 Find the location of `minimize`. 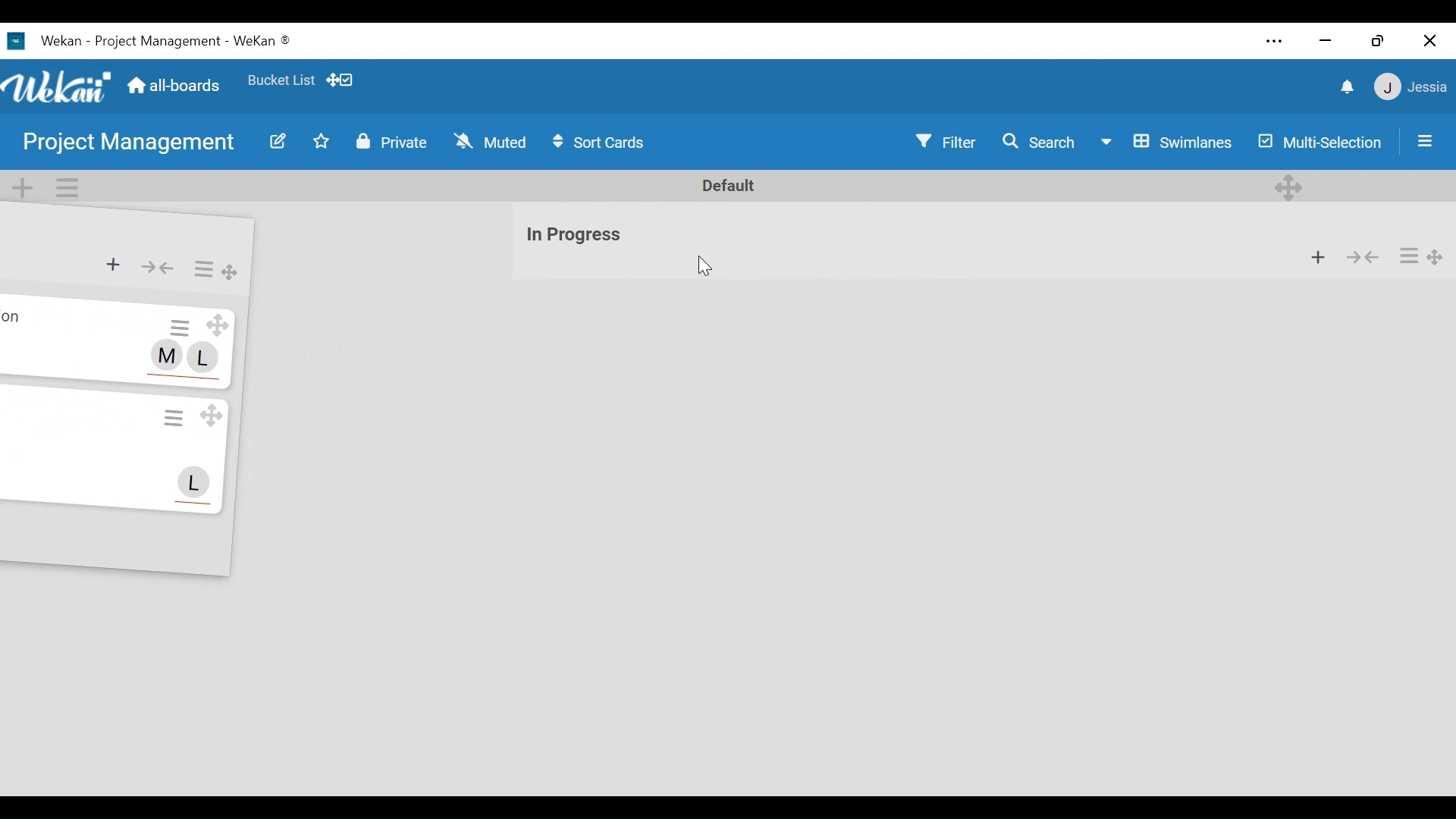

minimize is located at coordinates (1323, 42).